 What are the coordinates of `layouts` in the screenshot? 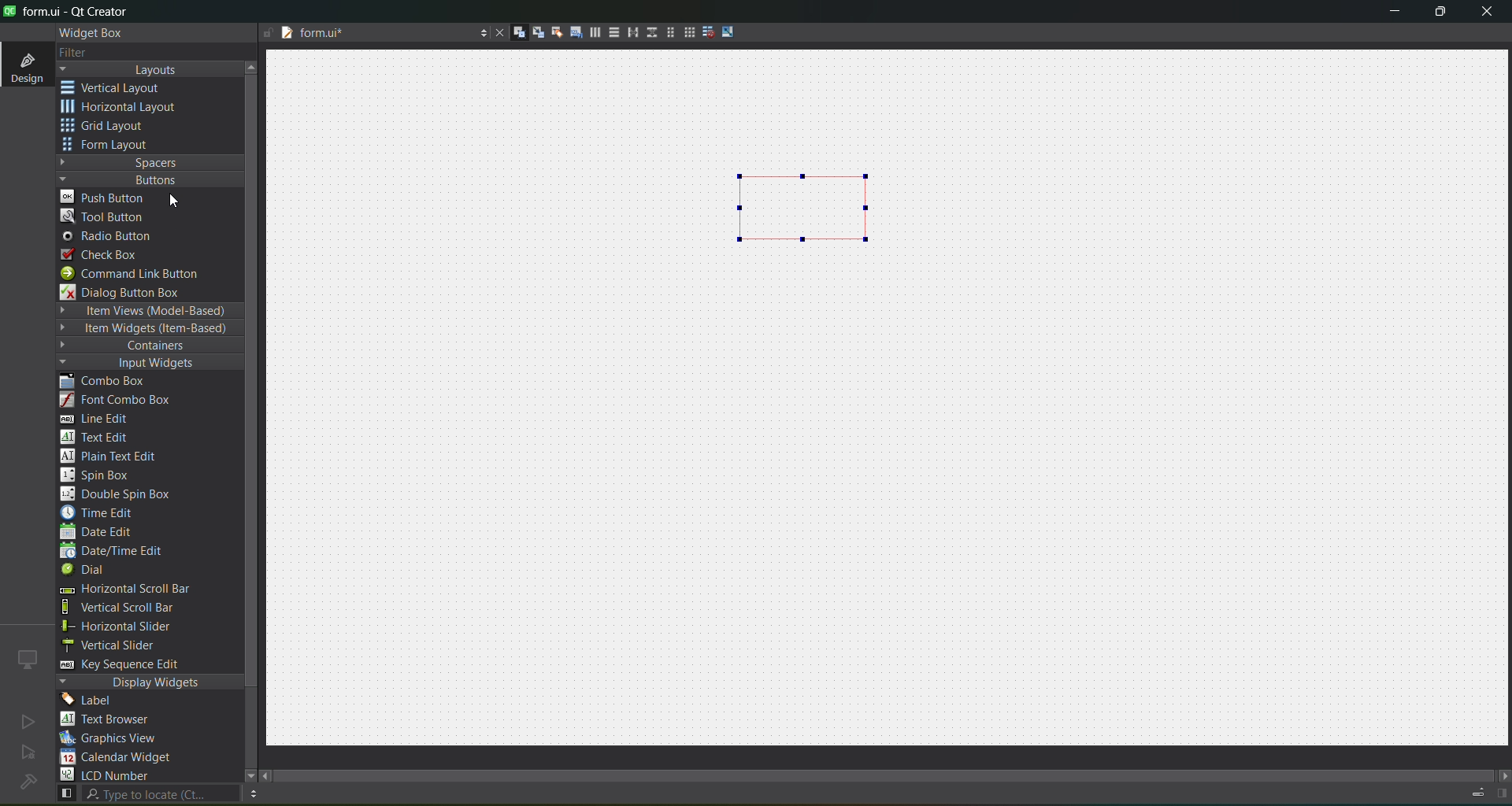 It's located at (150, 69).